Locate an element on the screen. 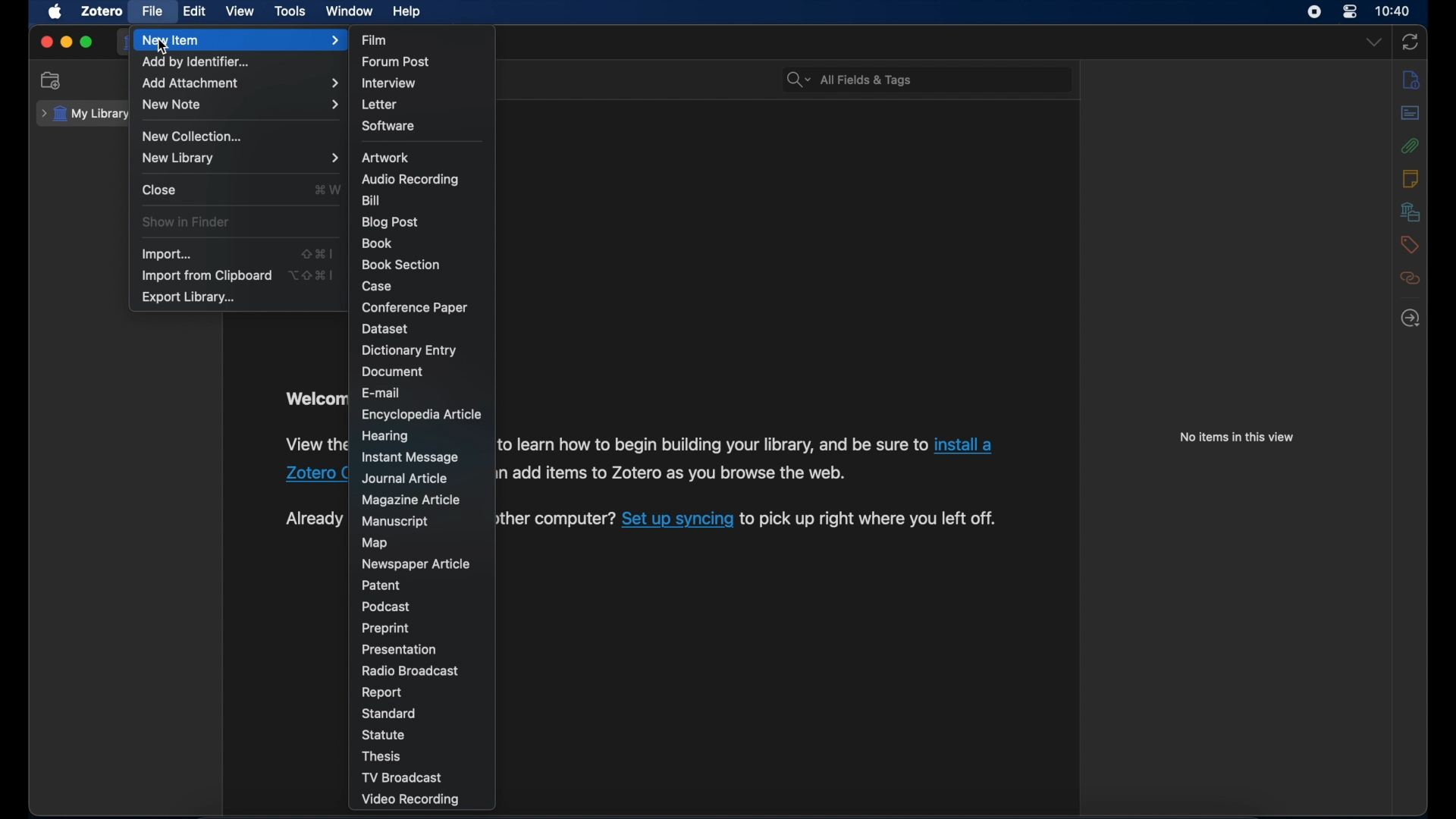  info is located at coordinates (1412, 81).